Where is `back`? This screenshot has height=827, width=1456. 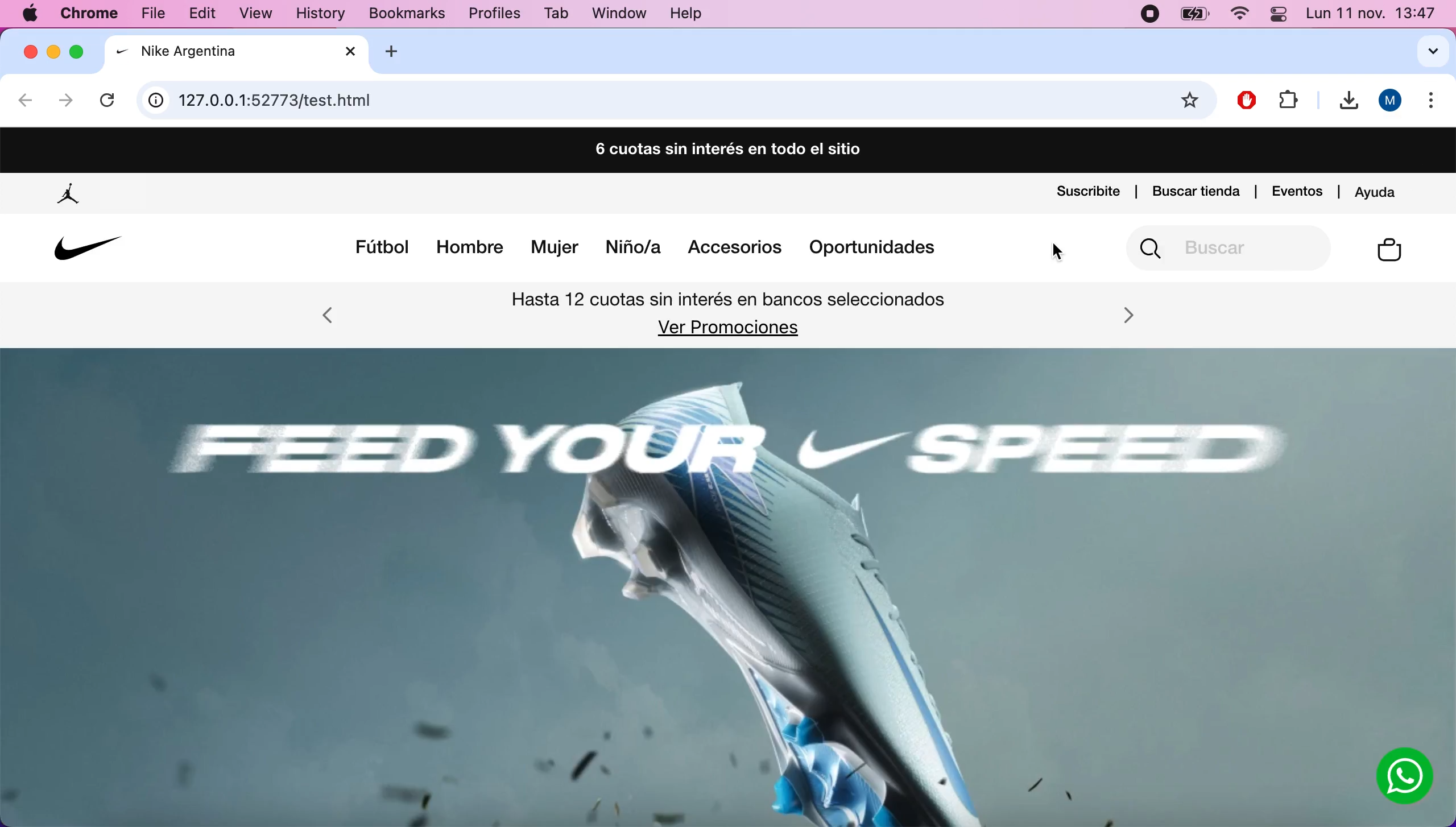 back is located at coordinates (26, 103).